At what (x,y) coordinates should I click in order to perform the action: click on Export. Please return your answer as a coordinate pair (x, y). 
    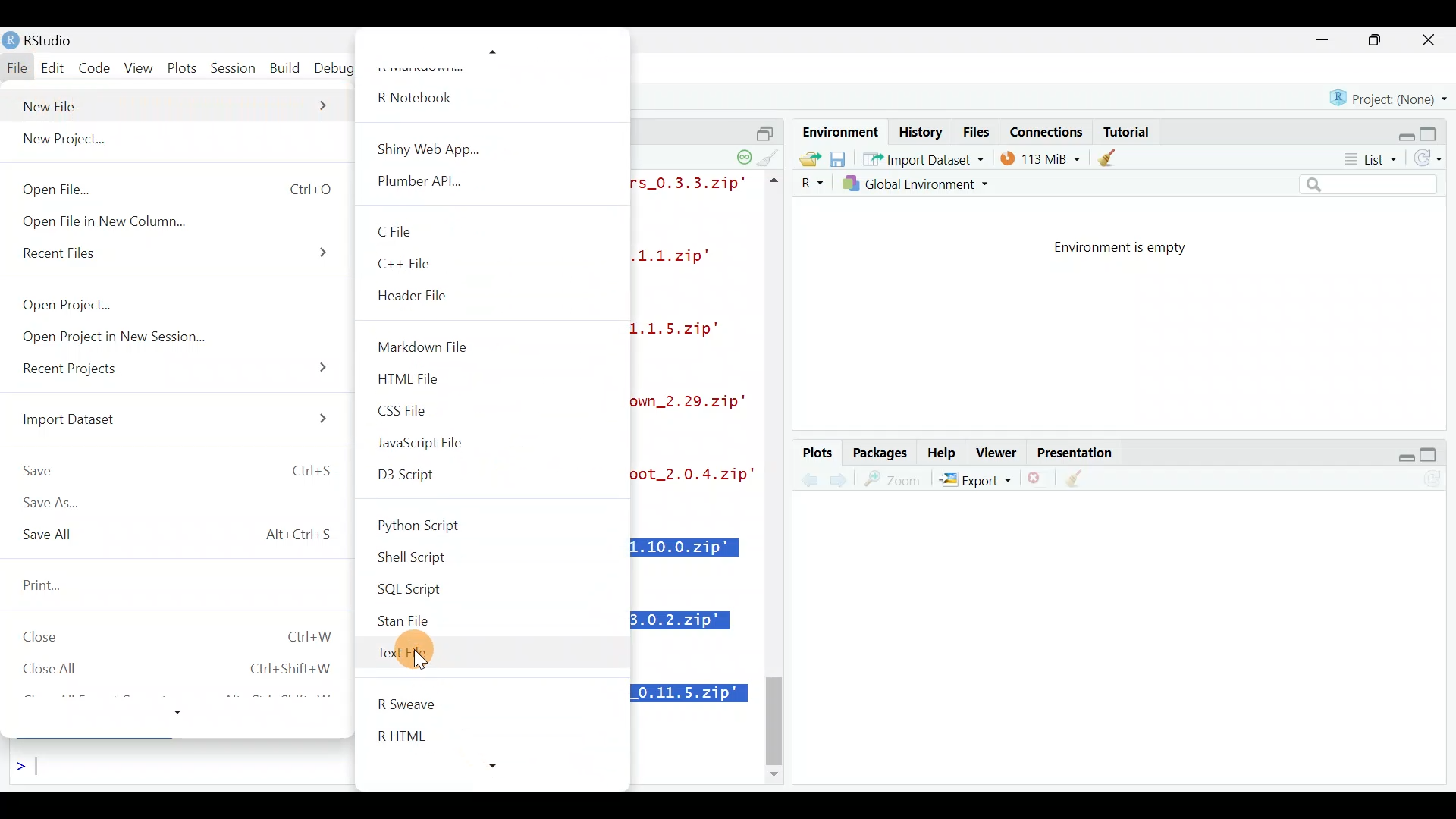
    Looking at the image, I should click on (975, 482).